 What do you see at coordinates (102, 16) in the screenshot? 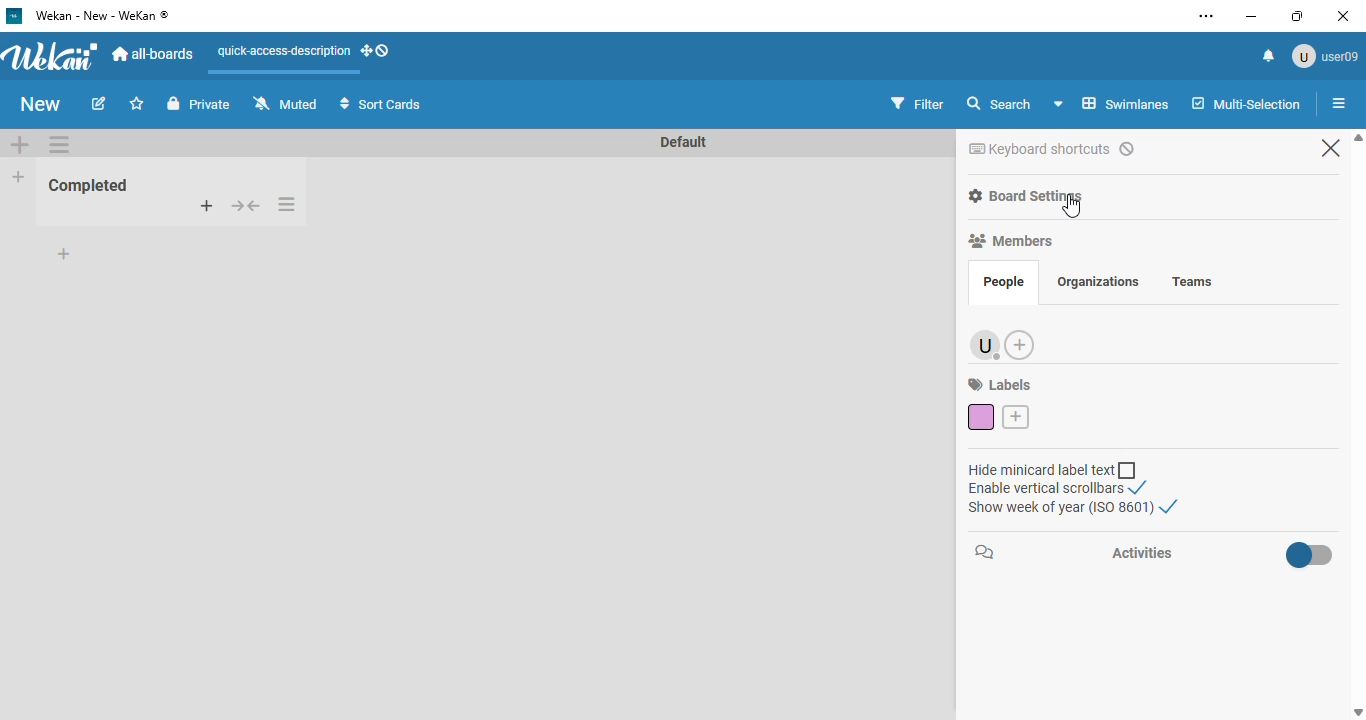
I see `wekan - new - wekan` at bounding box center [102, 16].